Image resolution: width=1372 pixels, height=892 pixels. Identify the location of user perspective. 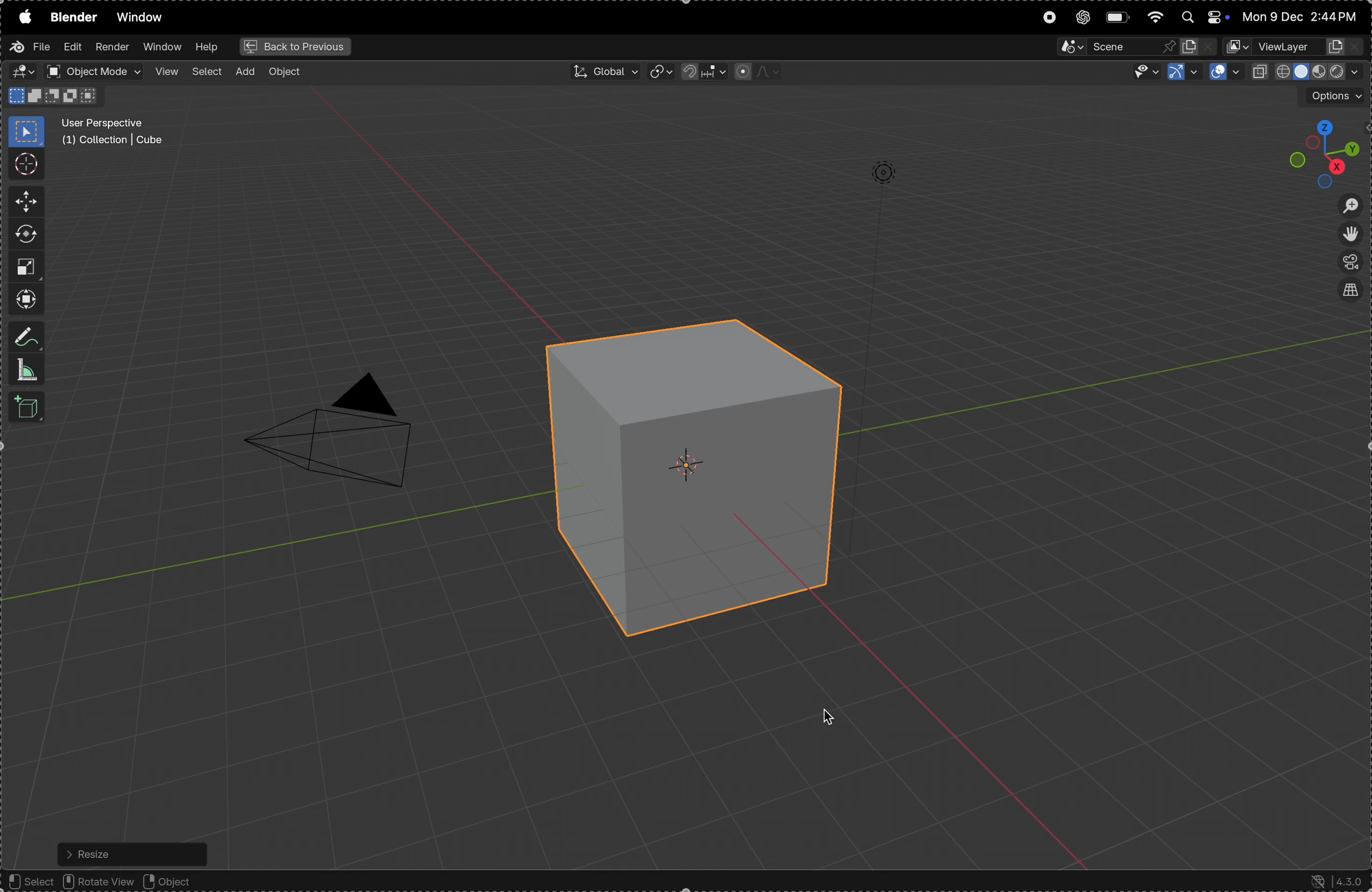
(118, 133).